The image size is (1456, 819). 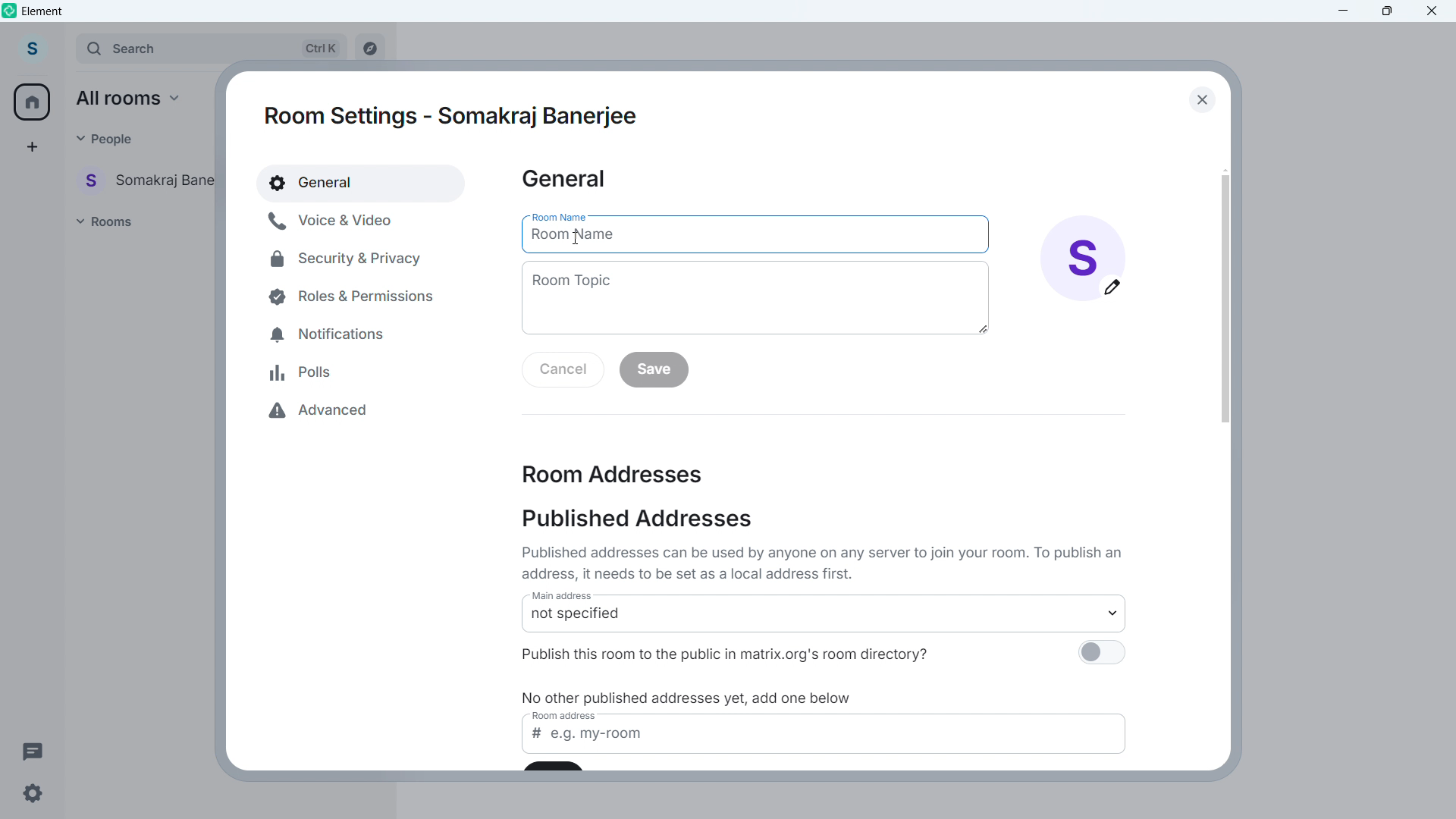 I want to click on Threads , so click(x=32, y=750).